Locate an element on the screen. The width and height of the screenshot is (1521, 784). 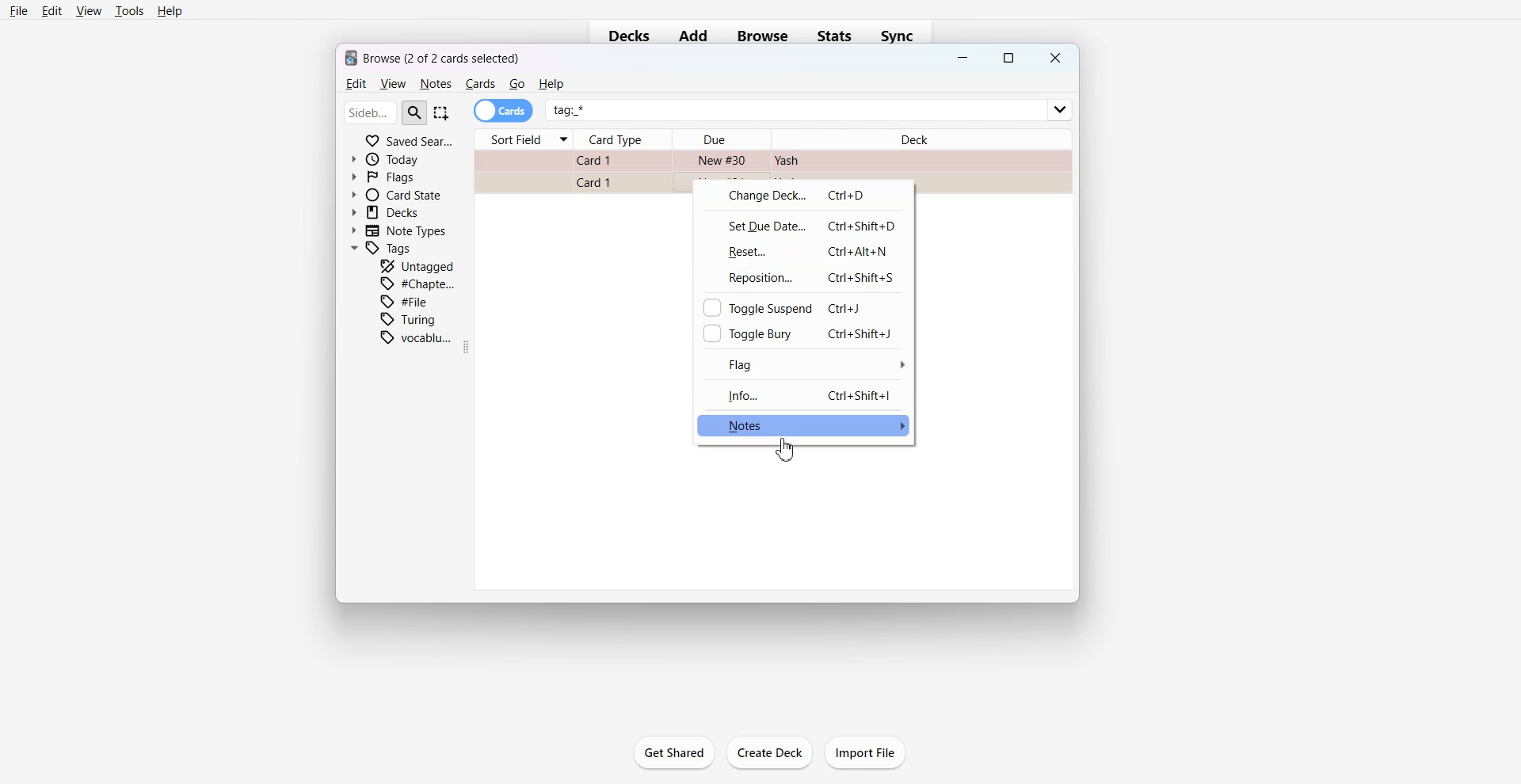
Tags is located at coordinates (383, 249).